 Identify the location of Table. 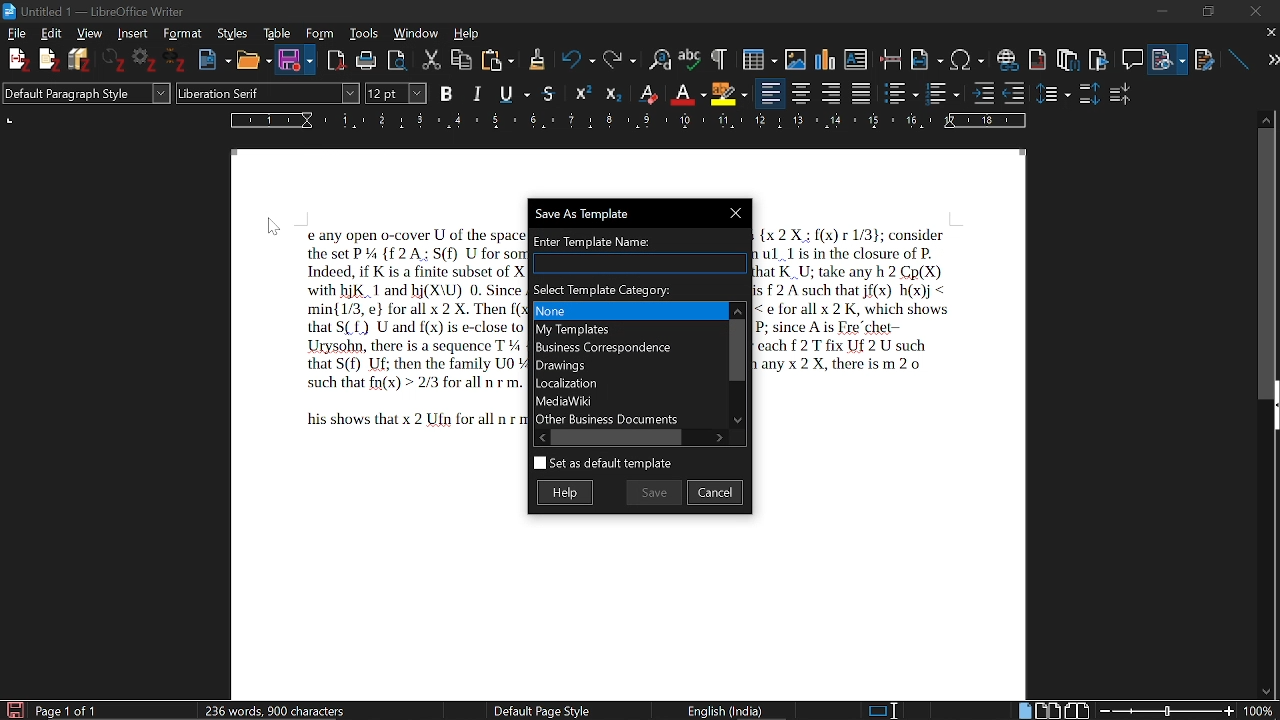
(277, 33).